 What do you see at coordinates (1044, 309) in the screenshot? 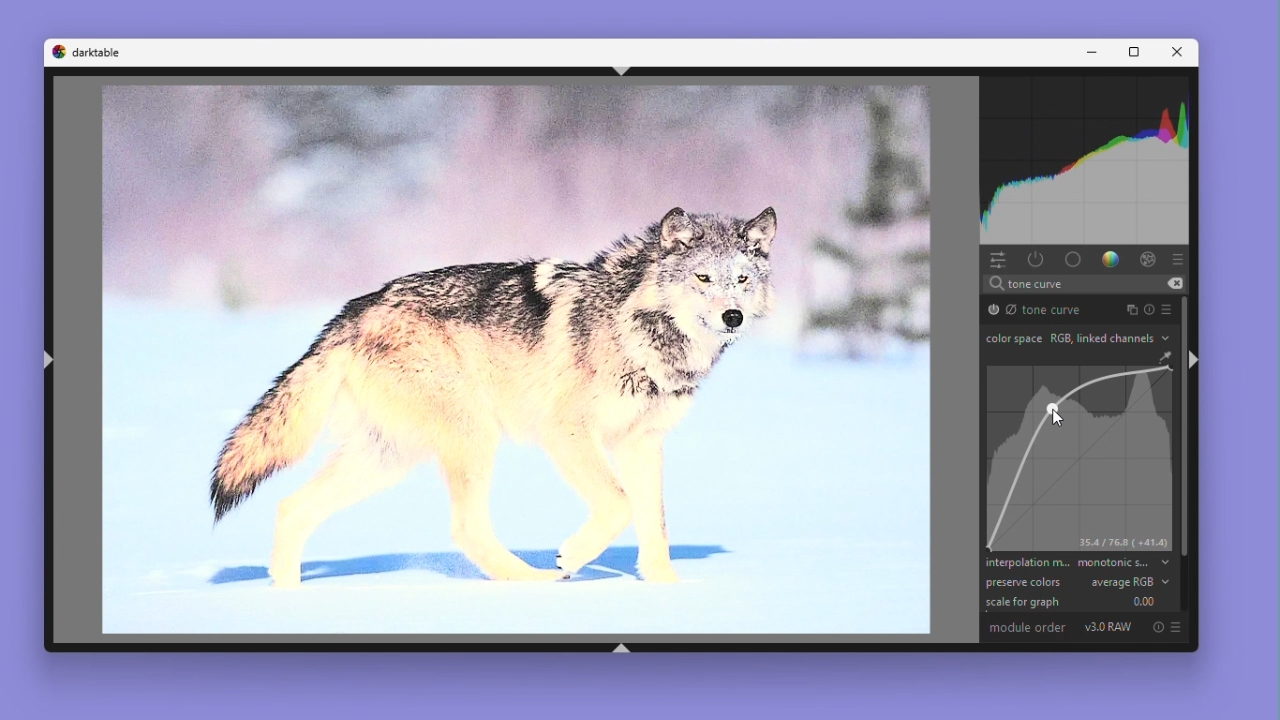
I see `Tone curve` at bounding box center [1044, 309].